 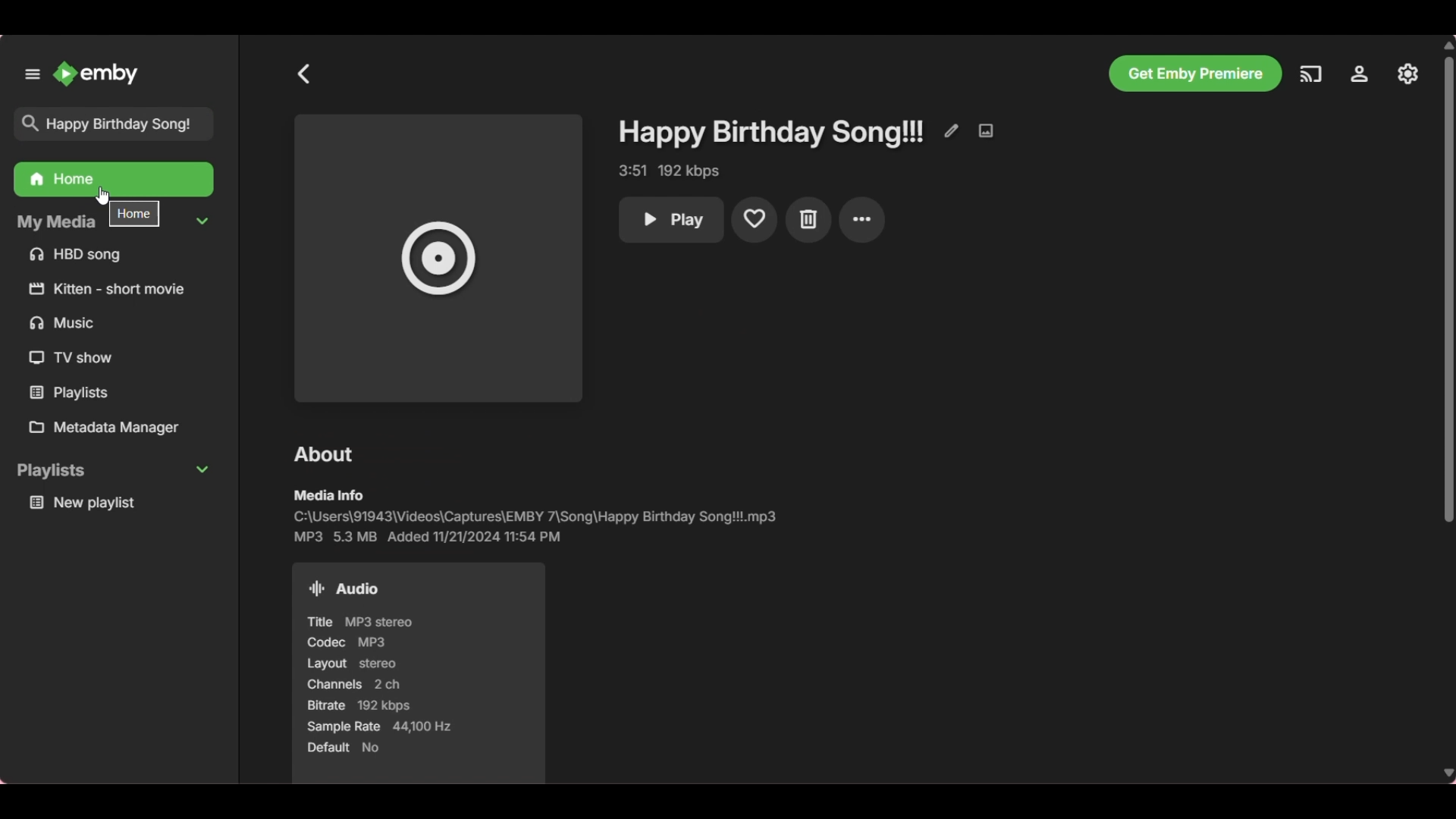 What do you see at coordinates (74, 393) in the screenshot?
I see `Playlists` at bounding box center [74, 393].